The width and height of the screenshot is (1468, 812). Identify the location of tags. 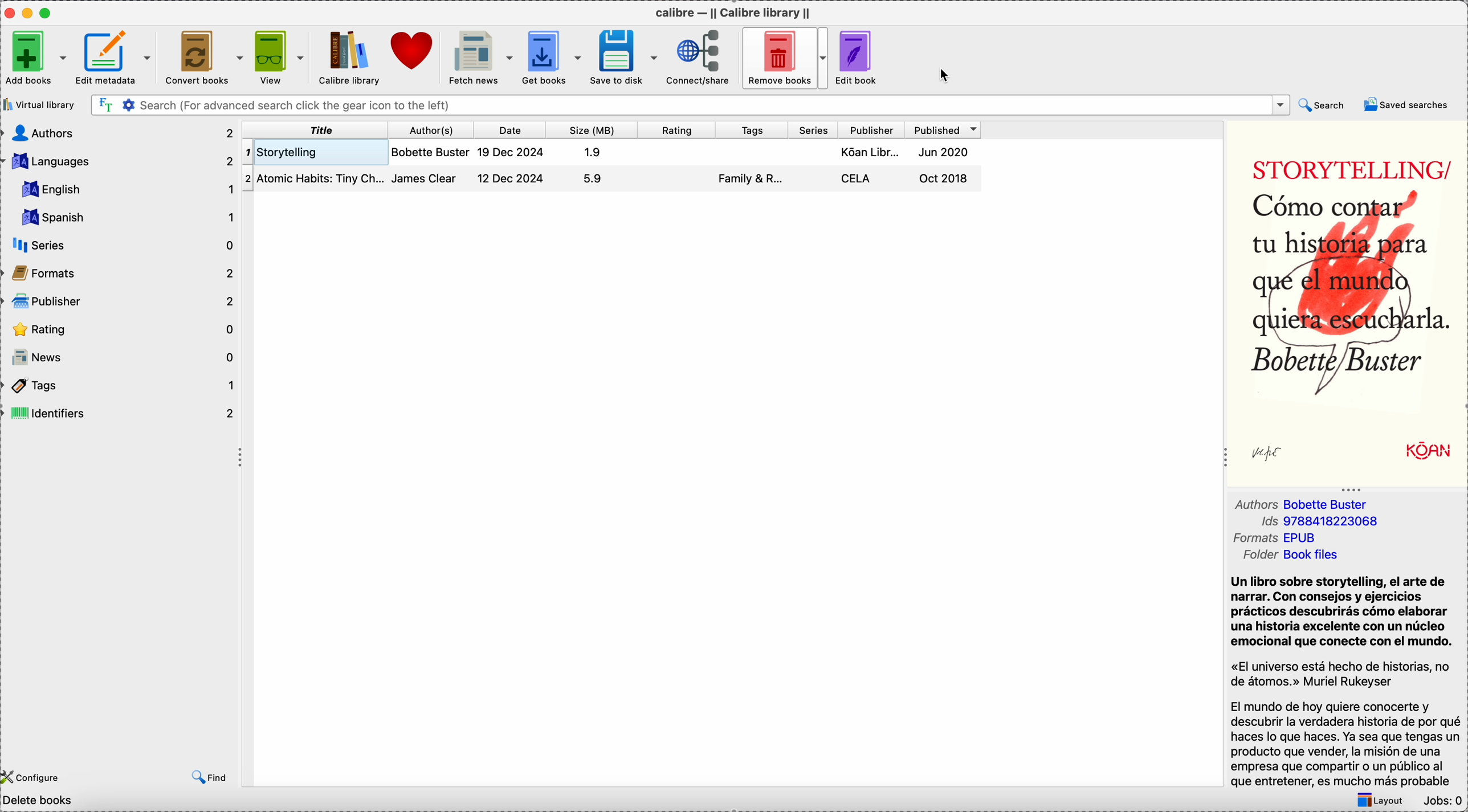
(751, 129).